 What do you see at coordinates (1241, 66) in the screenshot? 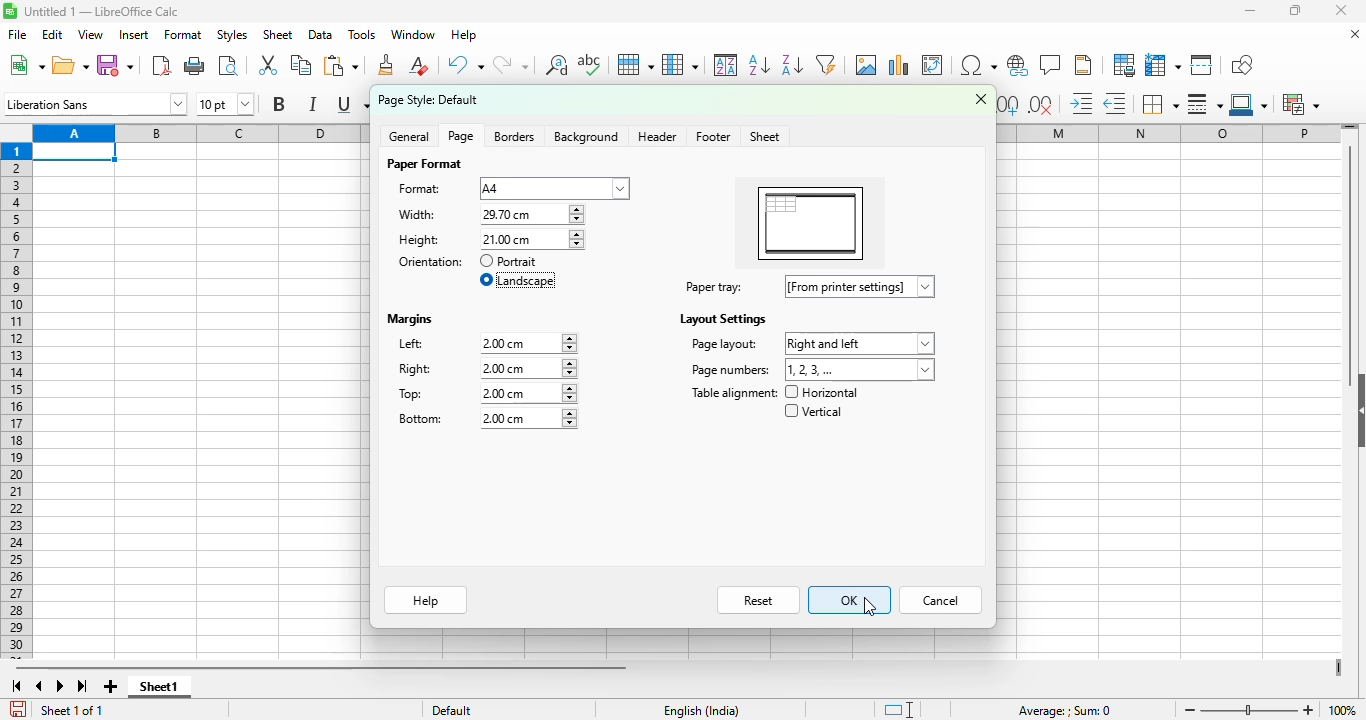
I see `show draw functions` at bounding box center [1241, 66].